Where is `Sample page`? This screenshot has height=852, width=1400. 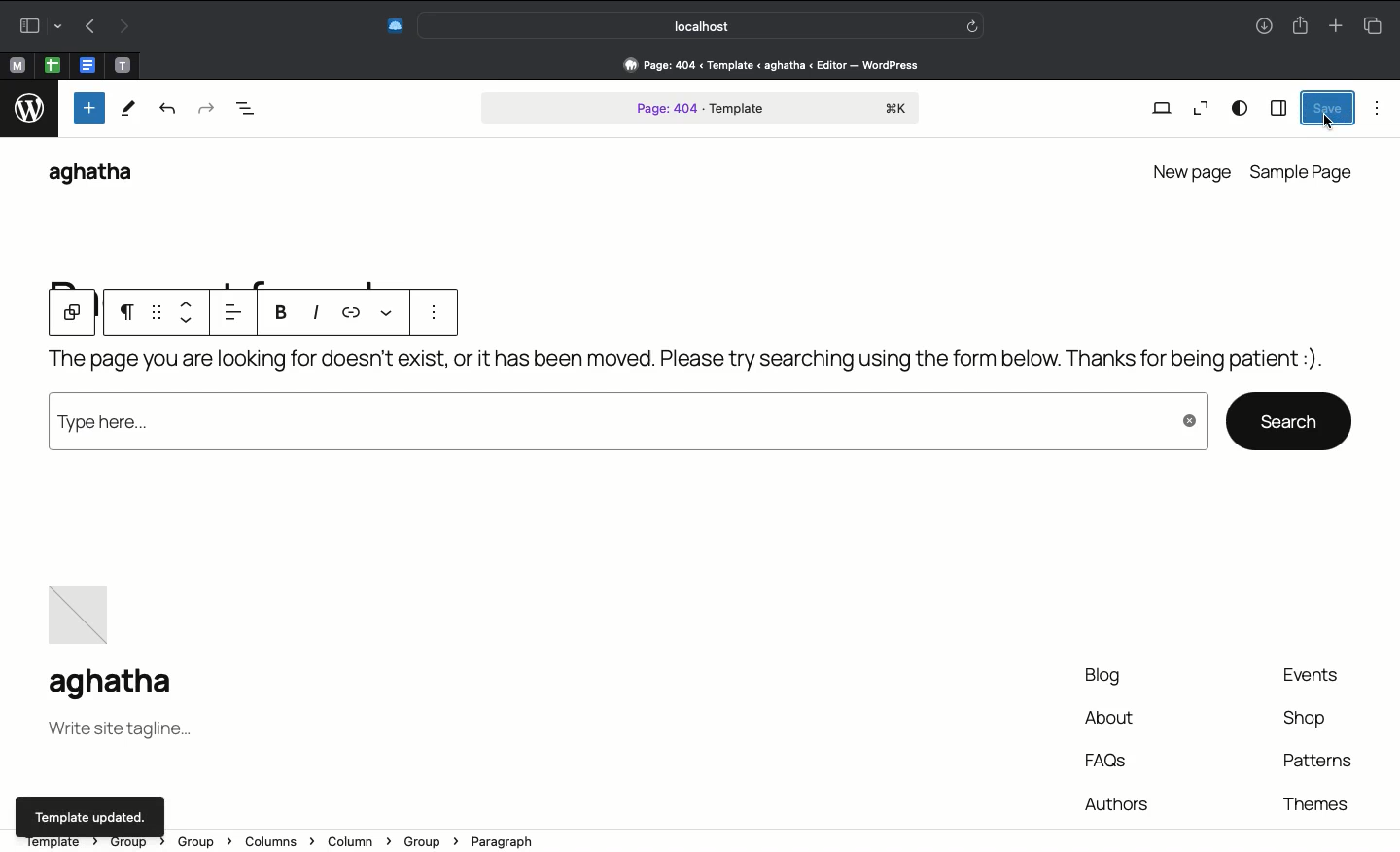 Sample page is located at coordinates (1304, 172).